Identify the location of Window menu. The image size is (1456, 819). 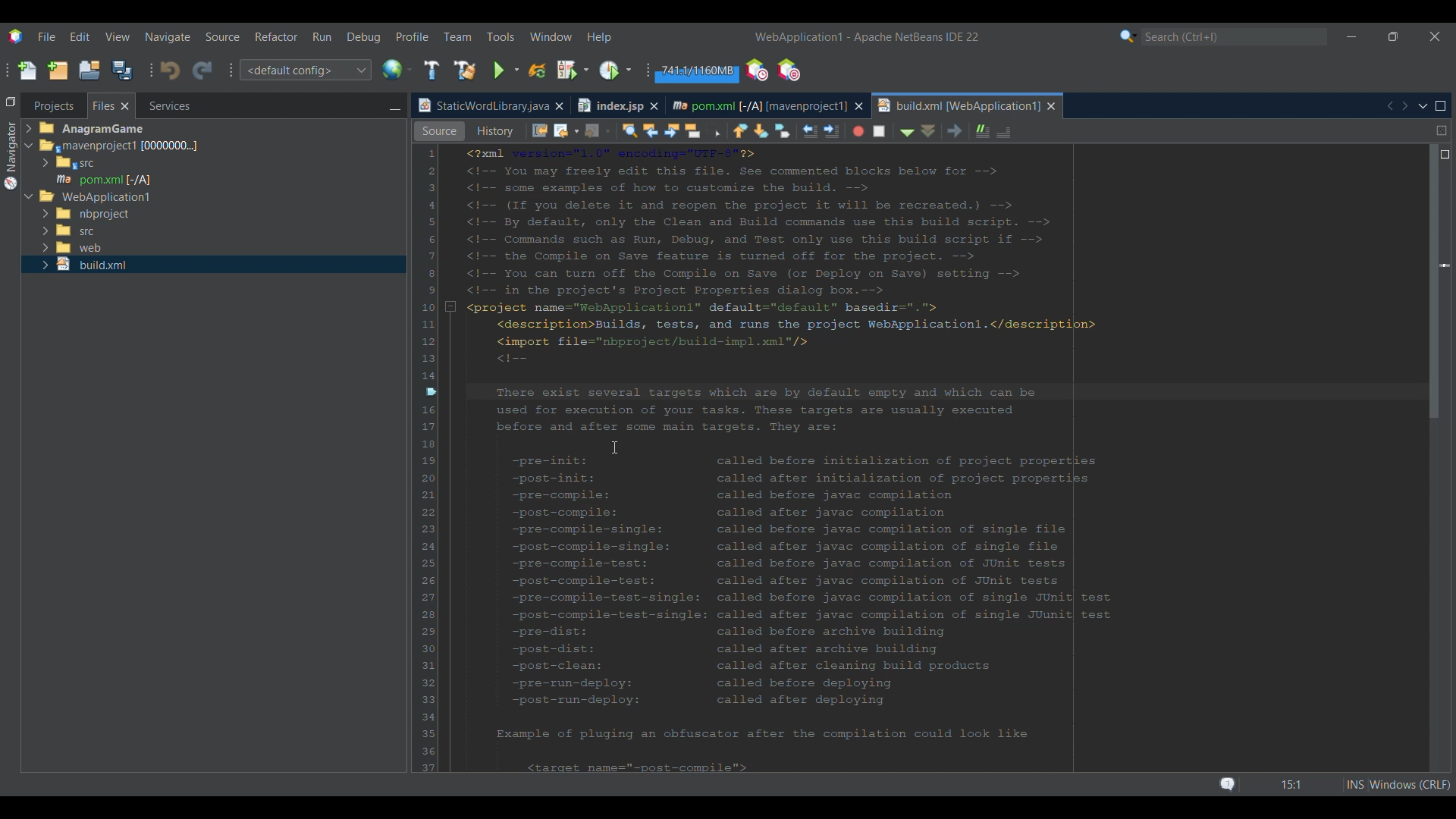
(551, 36).